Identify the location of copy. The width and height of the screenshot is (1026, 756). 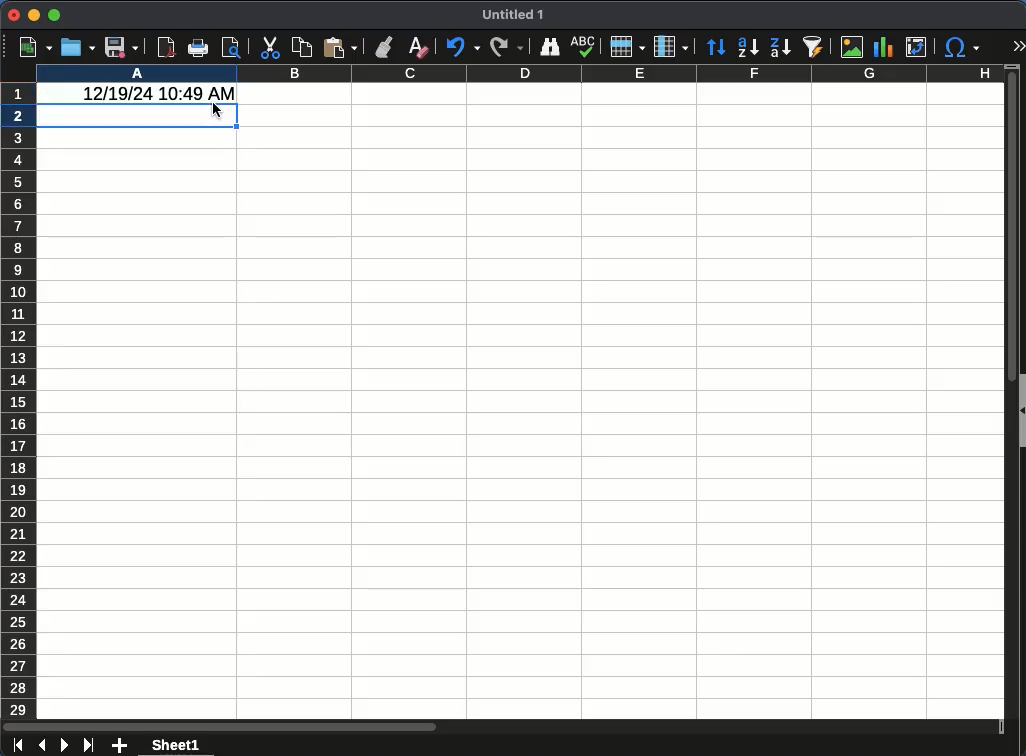
(301, 47).